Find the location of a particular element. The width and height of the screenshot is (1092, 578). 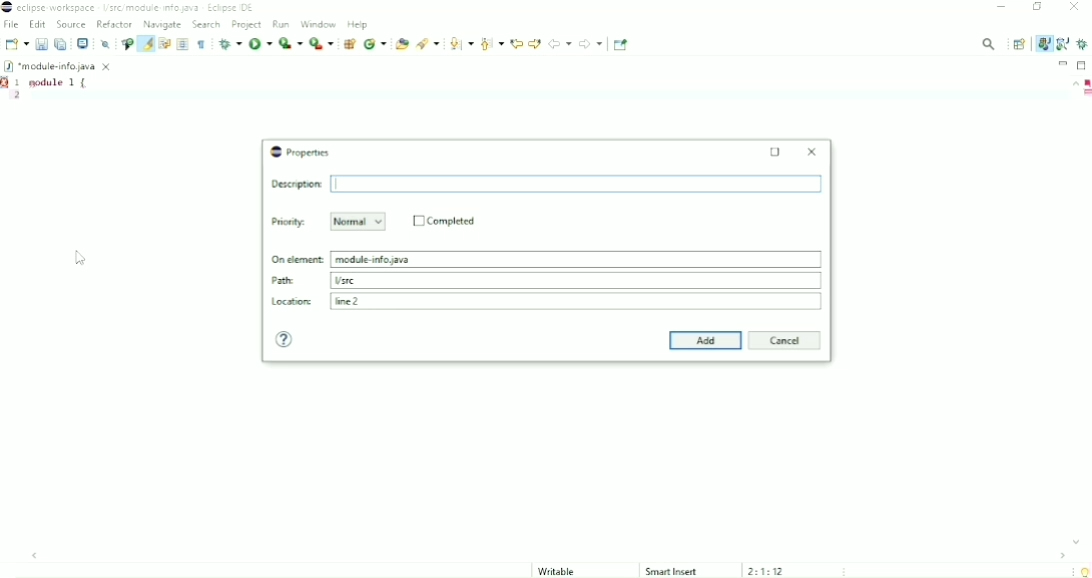

Java Browsing is located at coordinates (1063, 44).